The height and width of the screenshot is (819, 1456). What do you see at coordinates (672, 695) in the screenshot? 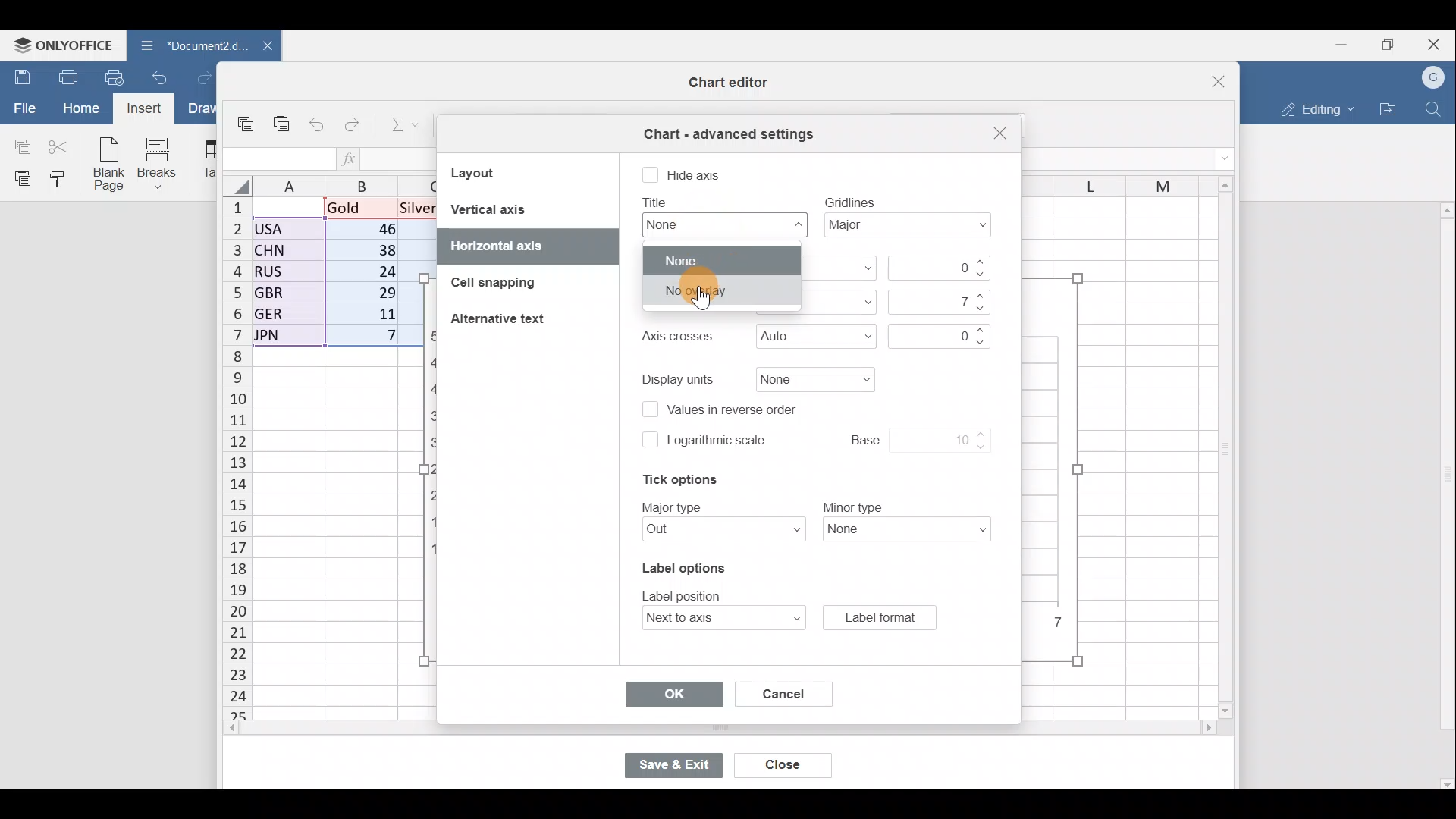
I see `OK` at bounding box center [672, 695].